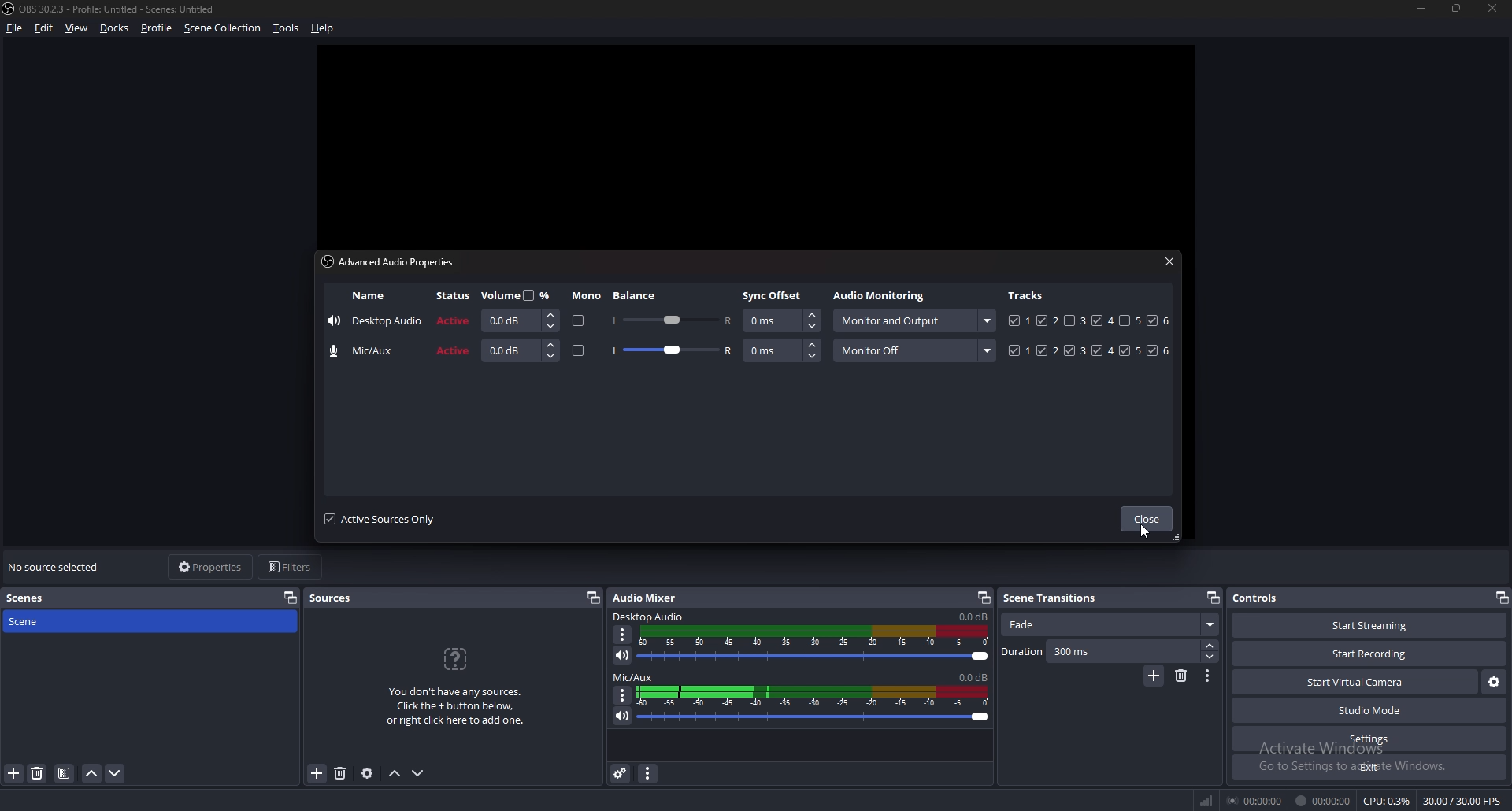 Image resolution: width=1512 pixels, height=811 pixels. What do you see at coordinates (43, 28) in the screenshot?
I see `edit` at bounding box center [43, 28].